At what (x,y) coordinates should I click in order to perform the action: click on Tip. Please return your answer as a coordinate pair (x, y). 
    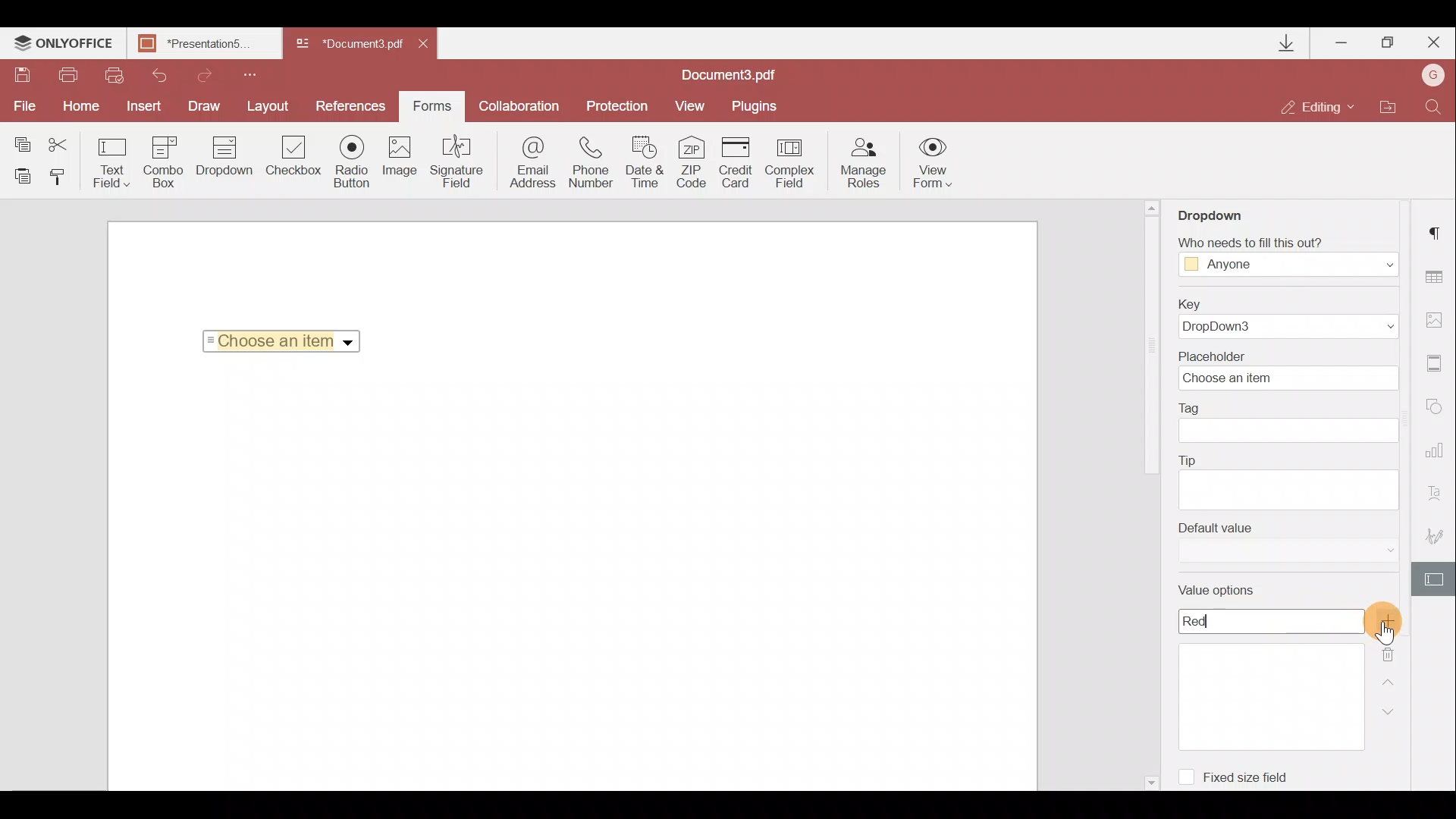
    Looking at the image, I should click on (1288, 480).